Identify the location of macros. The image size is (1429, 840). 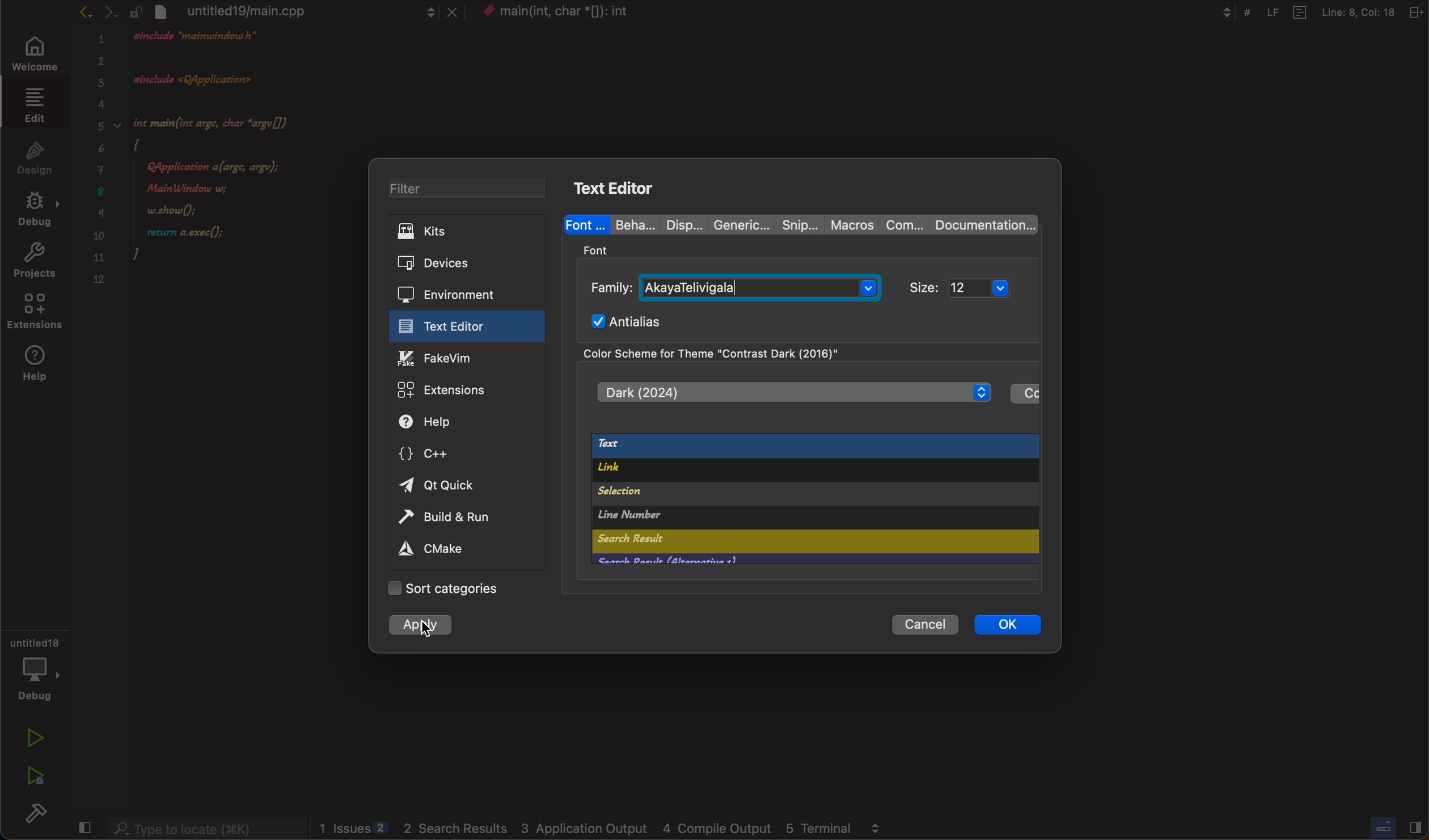
(851, 224).